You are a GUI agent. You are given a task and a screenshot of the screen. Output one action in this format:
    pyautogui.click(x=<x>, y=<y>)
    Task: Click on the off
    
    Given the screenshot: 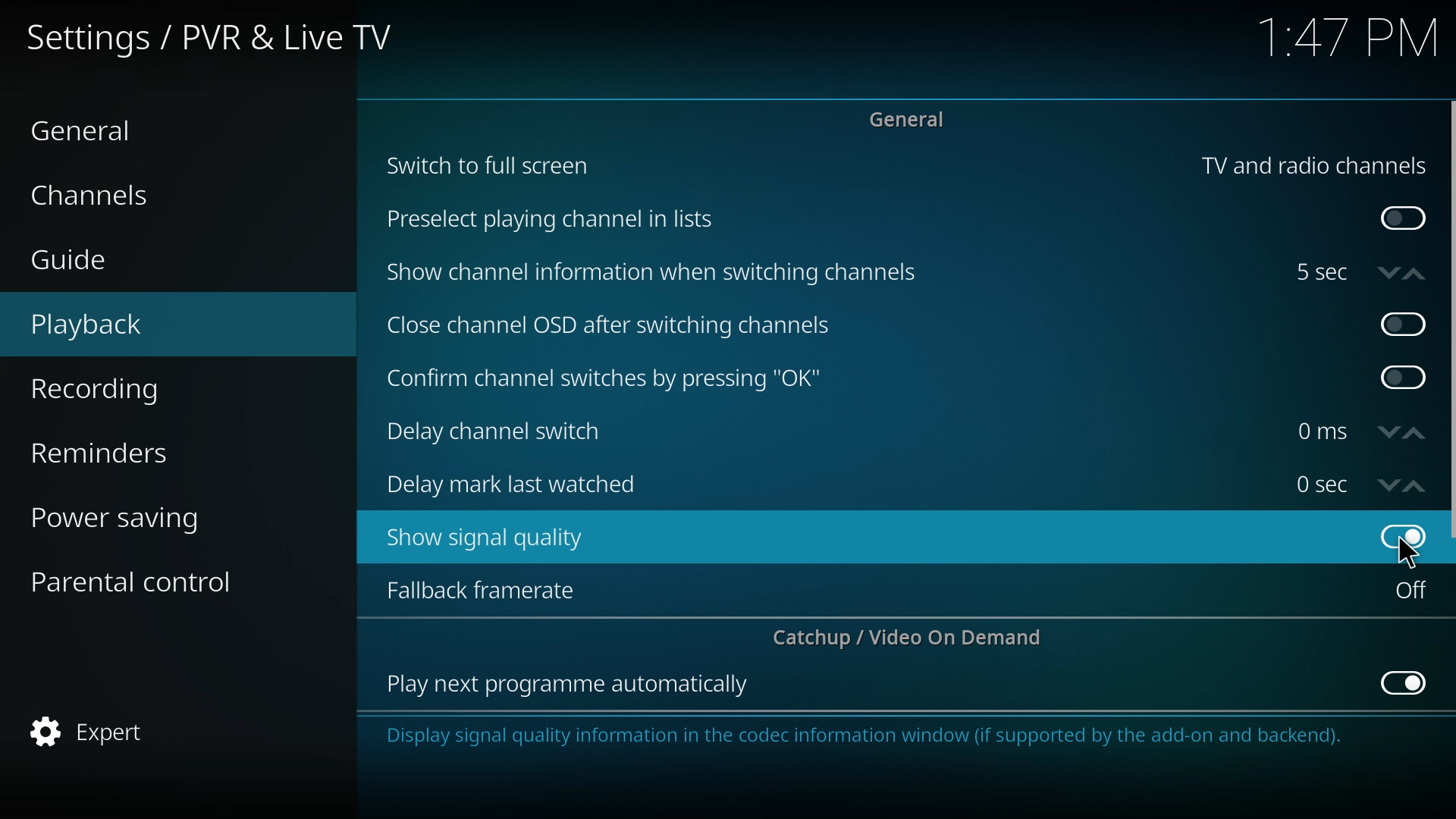 What is the action you would take?
    pyautogui.click(x=1406, y=681)
    